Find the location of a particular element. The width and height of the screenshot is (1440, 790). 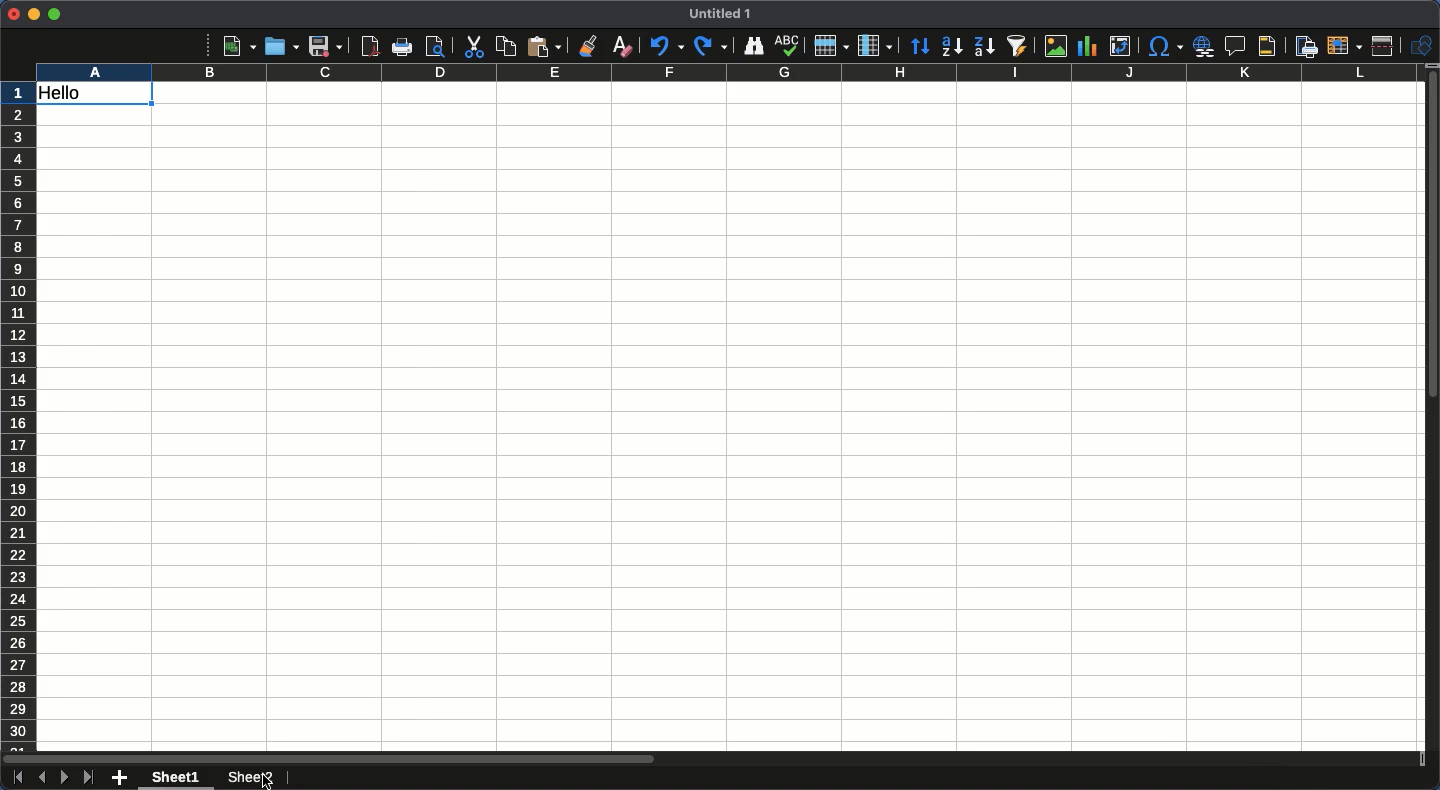

Open is located at coordinates (279, 45).